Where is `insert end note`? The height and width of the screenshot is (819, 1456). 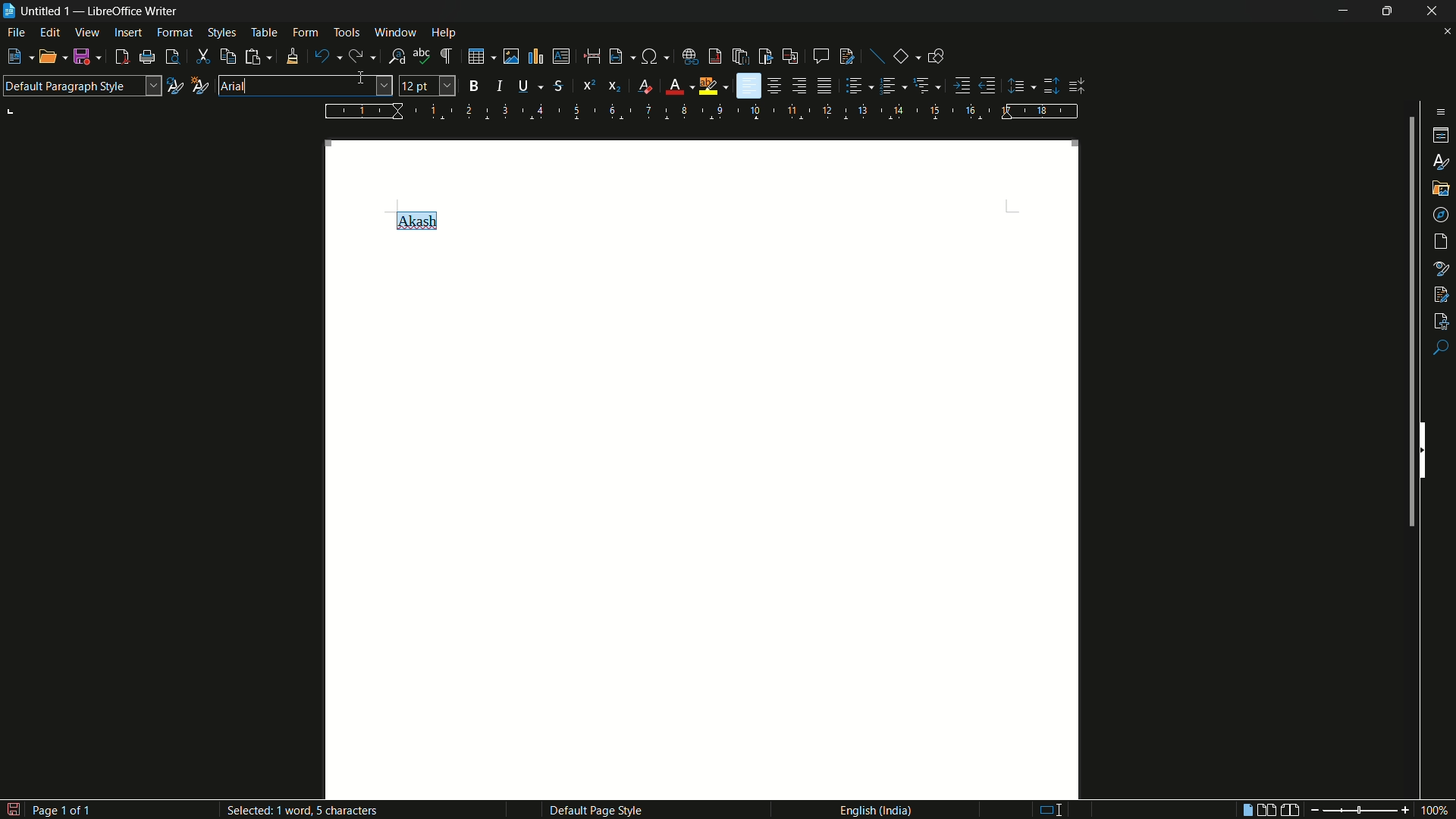
insert end note is located at coordinates (742, 58).